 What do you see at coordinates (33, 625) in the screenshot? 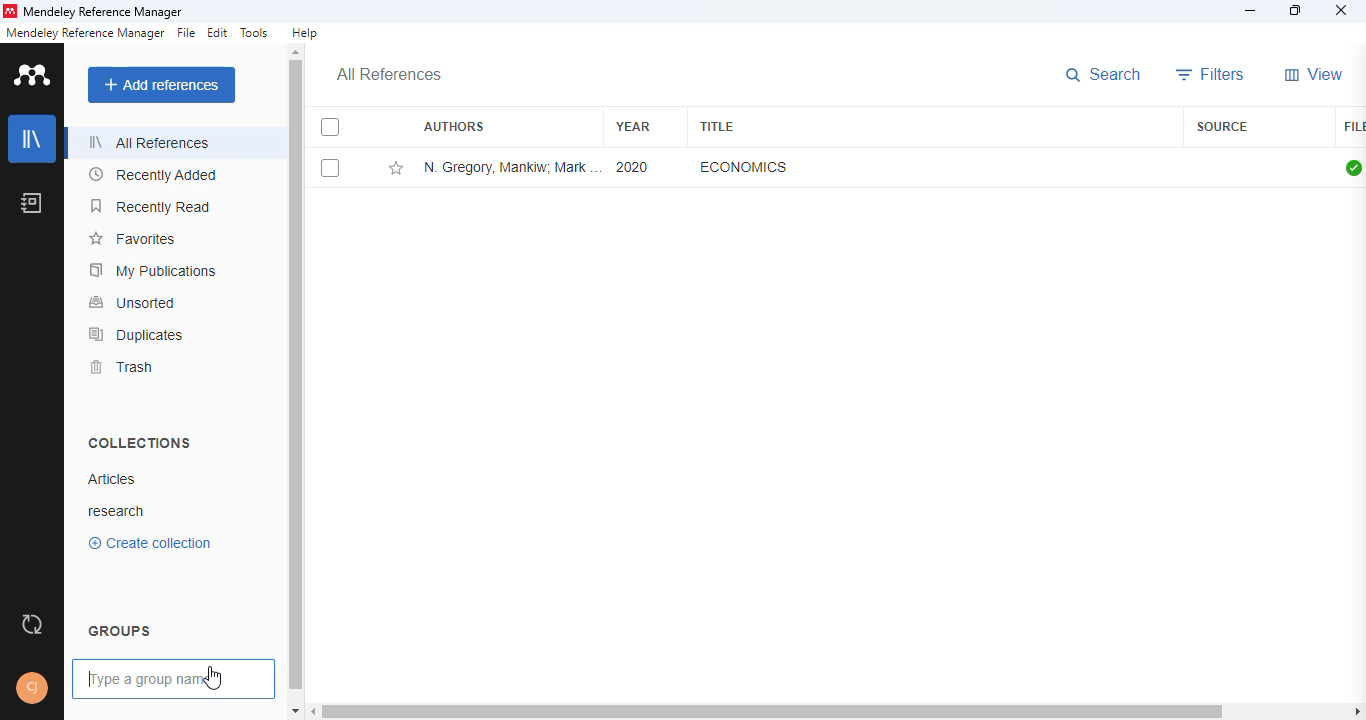
I see `sync` at bounding box center [33, 625].